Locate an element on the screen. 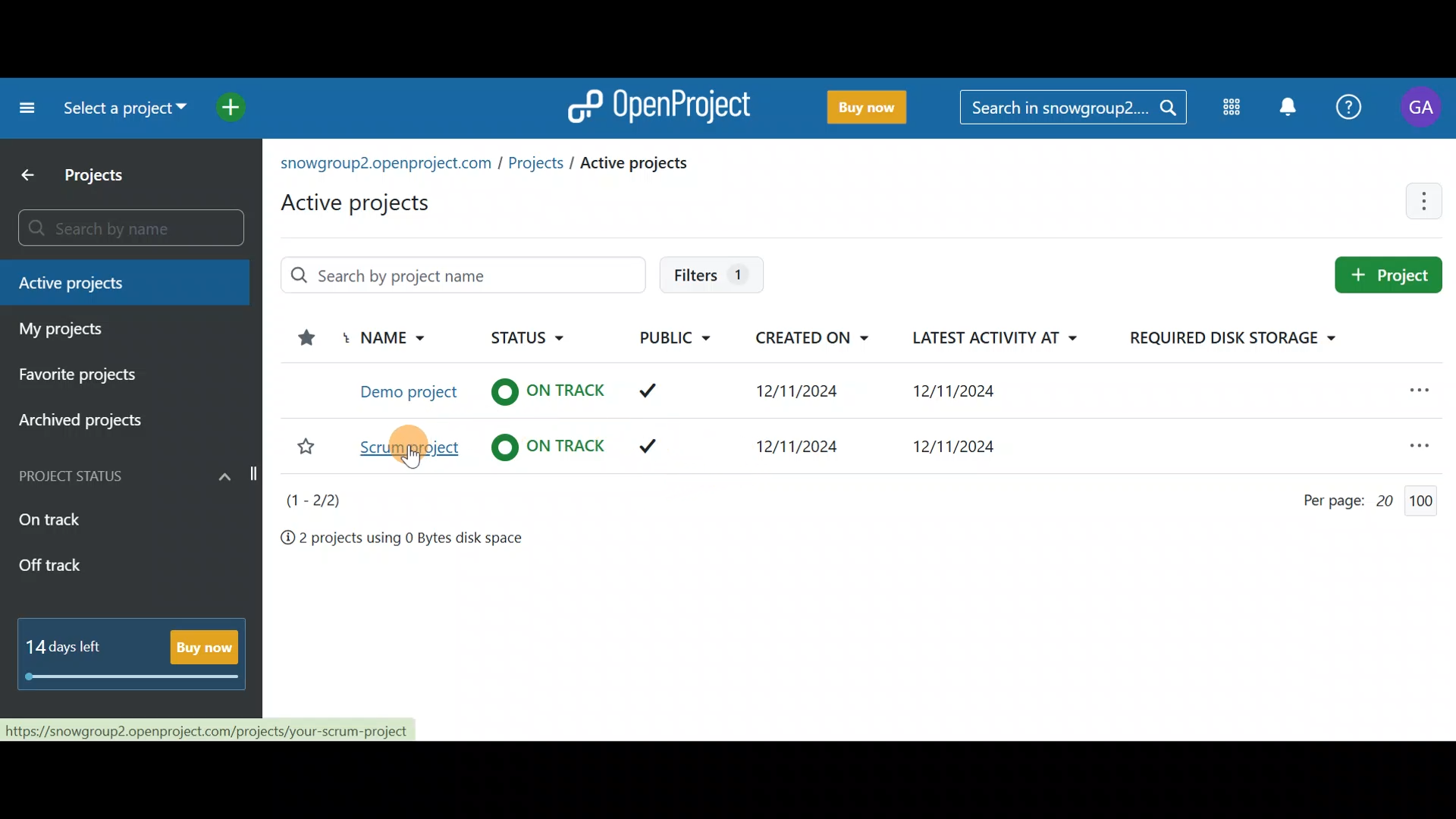 The width and height of the screenshot is (1456, 819). Archived projects is located at coordinates (104, 421).